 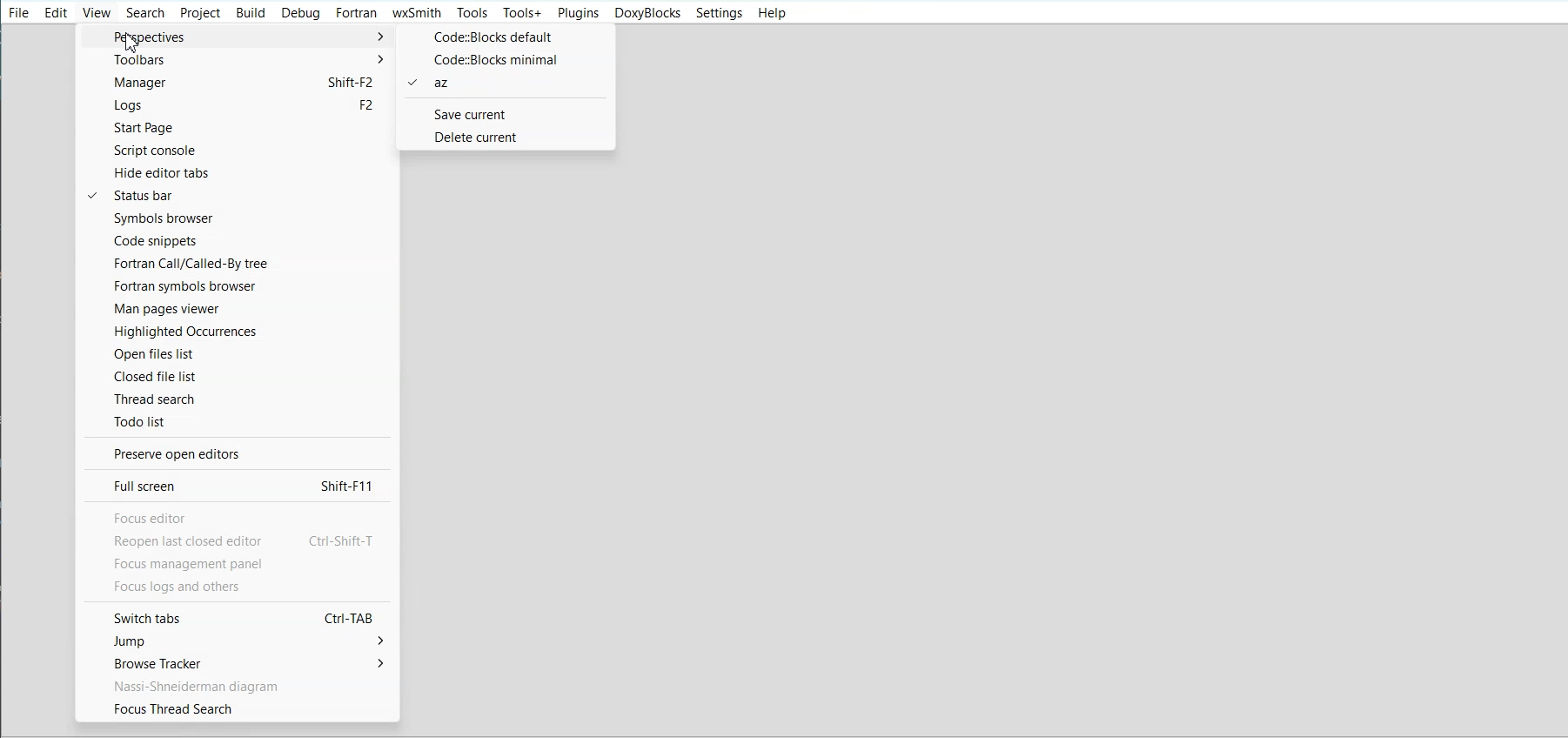 What do you see at coordinates (239, 240) in the screenshot?
I see `Code snippets` at bounding box center [239, 240].